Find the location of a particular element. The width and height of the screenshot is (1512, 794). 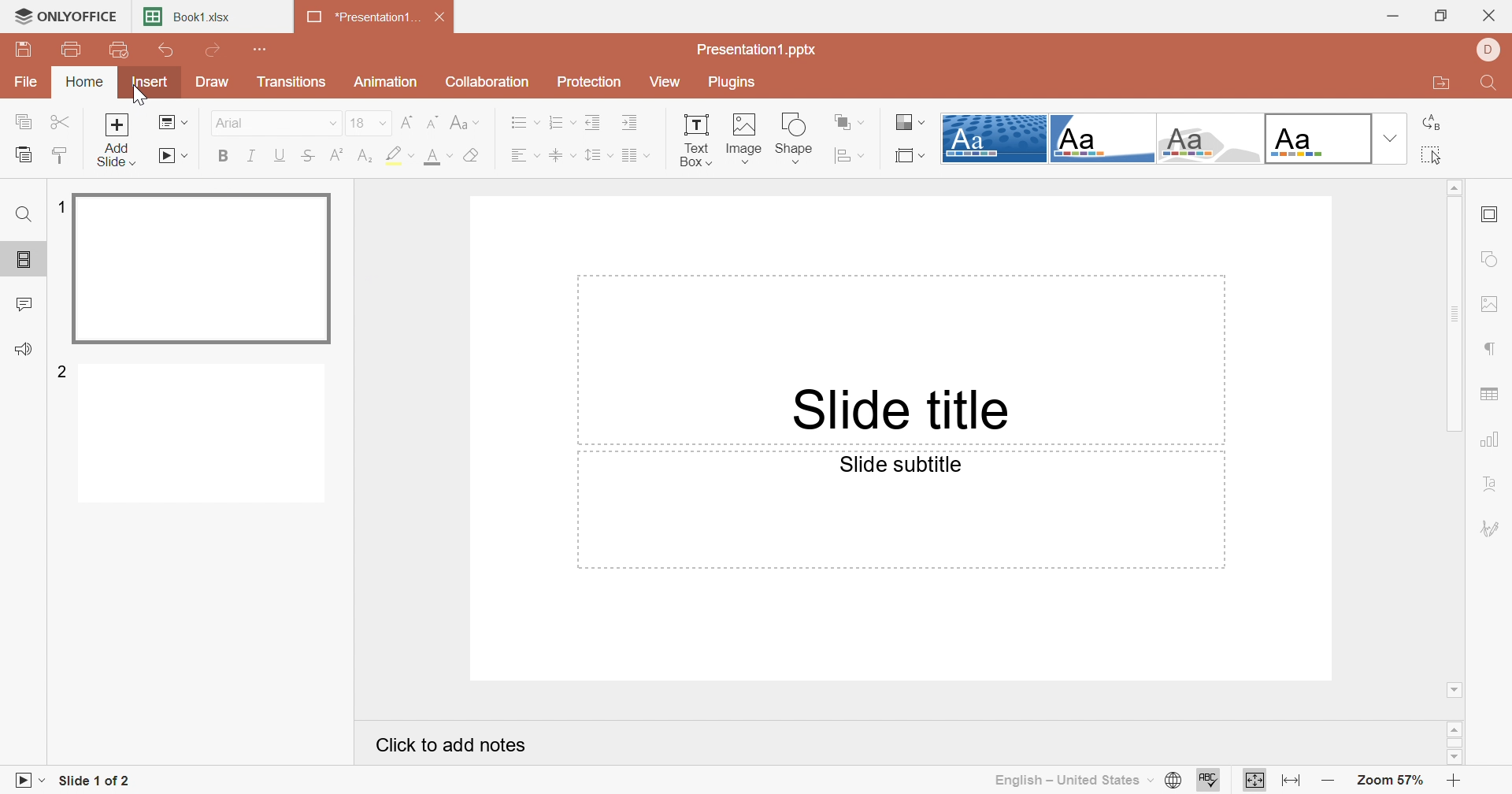

Animation is located at coordinates (387, 82).